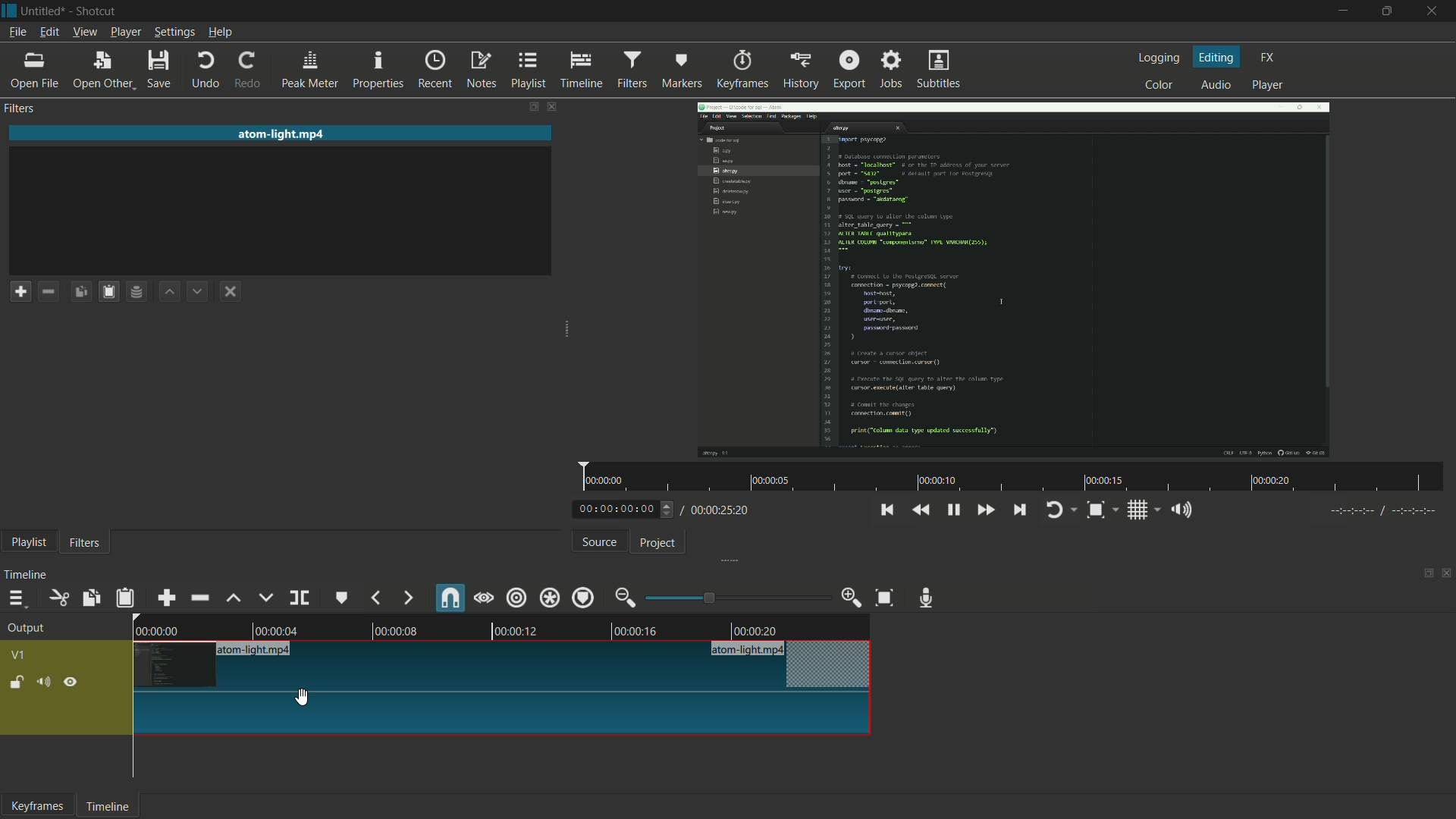 Image resolution: width=1456 pixels, height=819 pixels. What do you see at coordinates (1181, 509) in the screenshot?
I see `show volume control` at bounding box center [1181, 509].